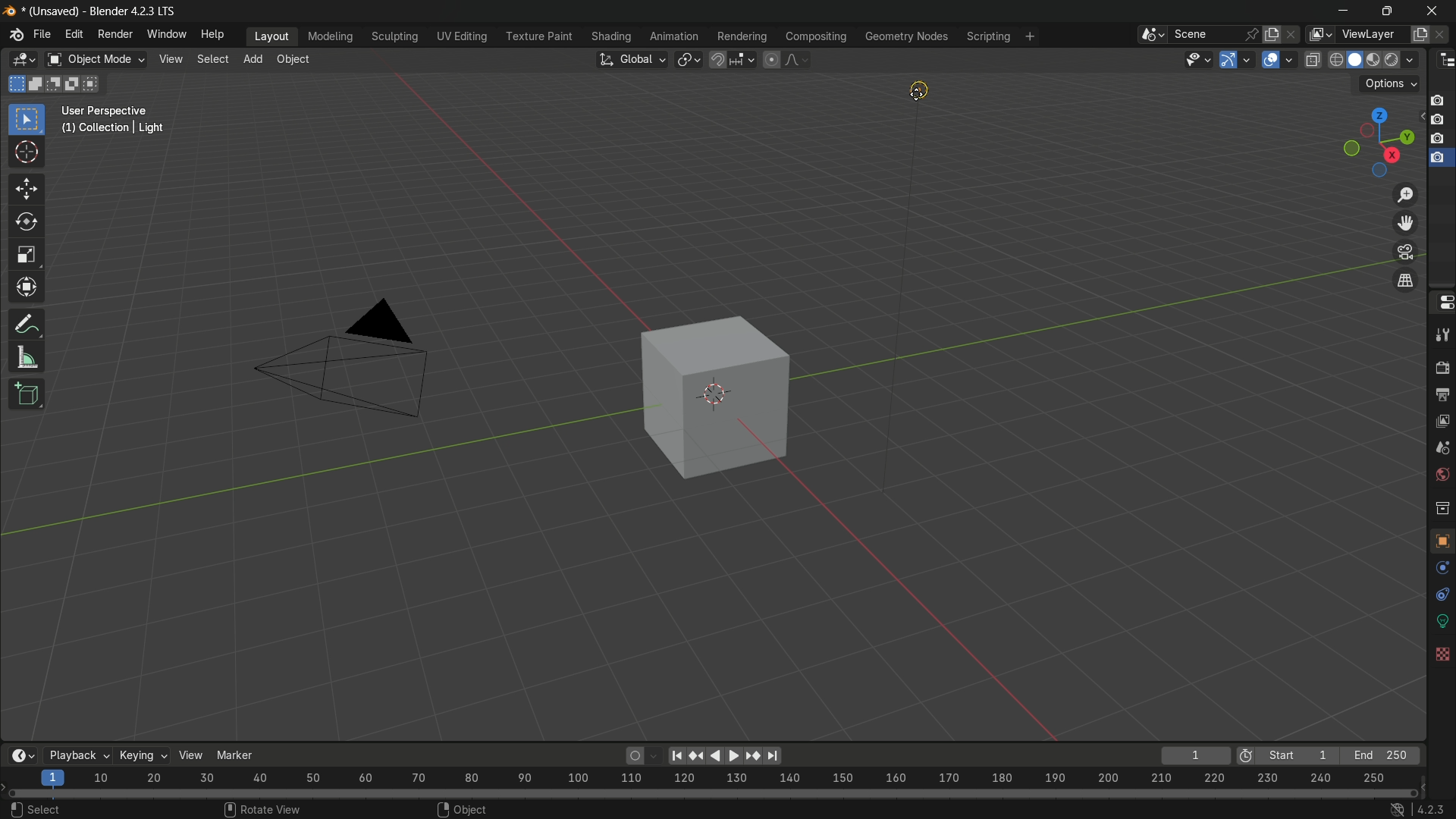 The height and width of the screenshot is (819, 1456). What do you see at coordinates (27, 118) in the screenshot?
I see `select box` at bounding box center [27, 118].